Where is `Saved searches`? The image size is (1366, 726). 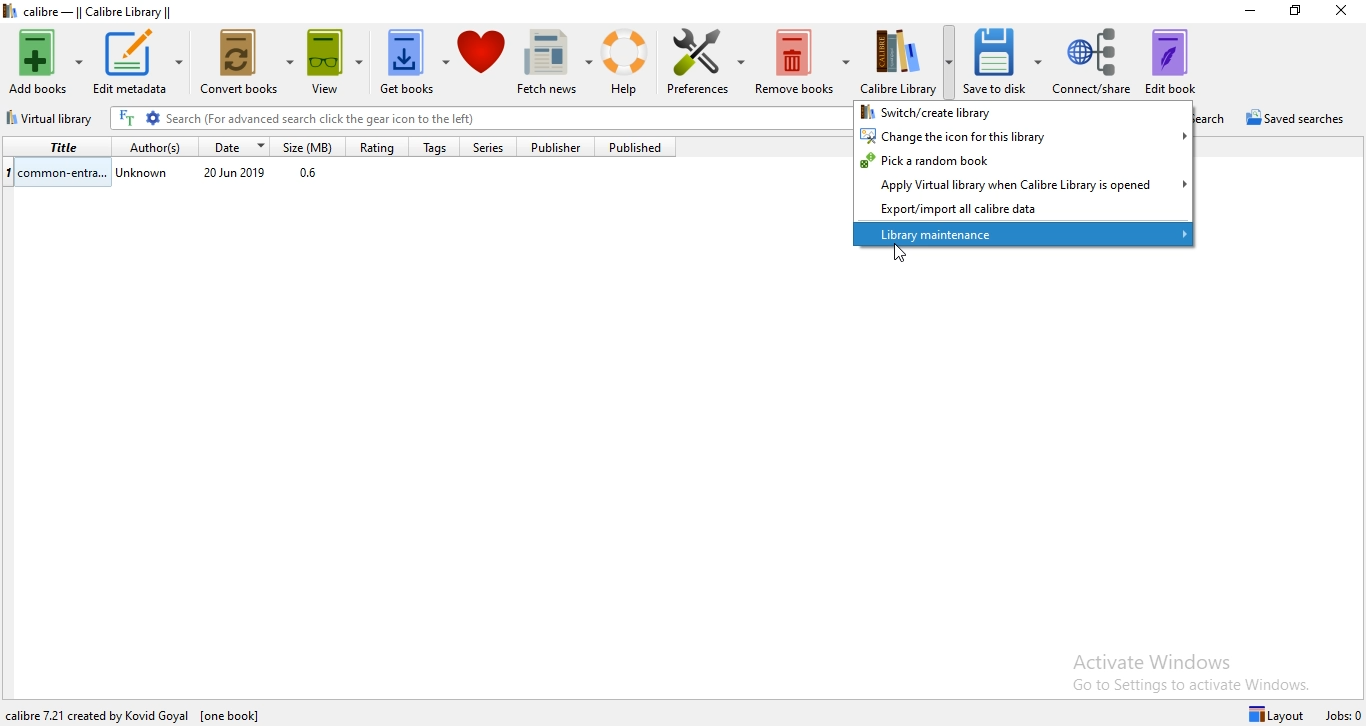 Saved searches is located at coordinates (1300, 119).